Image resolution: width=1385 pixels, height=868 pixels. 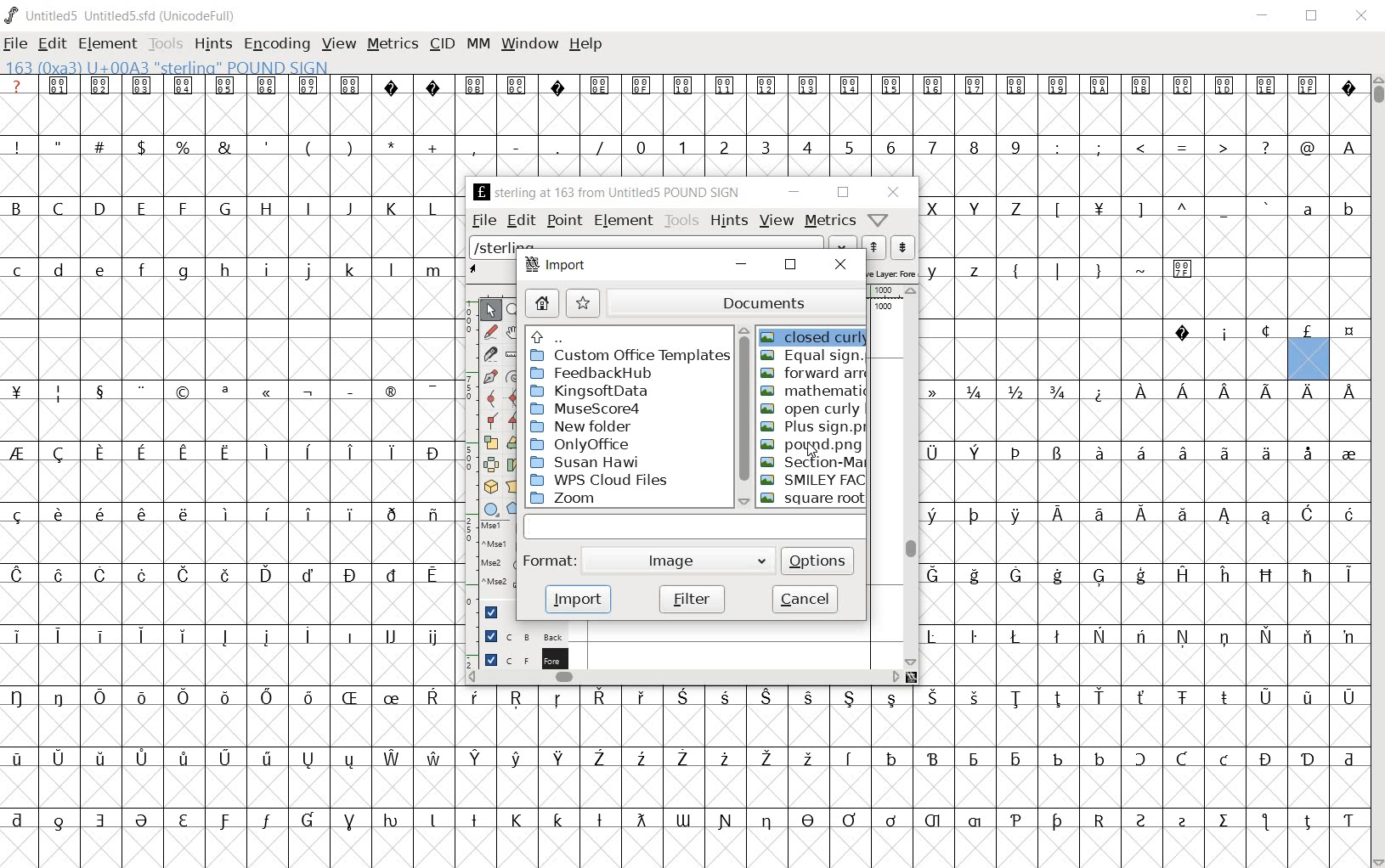 What do you see at coordinates (516, 146) in the screenshot?
I see `-` at bounding box center [516, 146].